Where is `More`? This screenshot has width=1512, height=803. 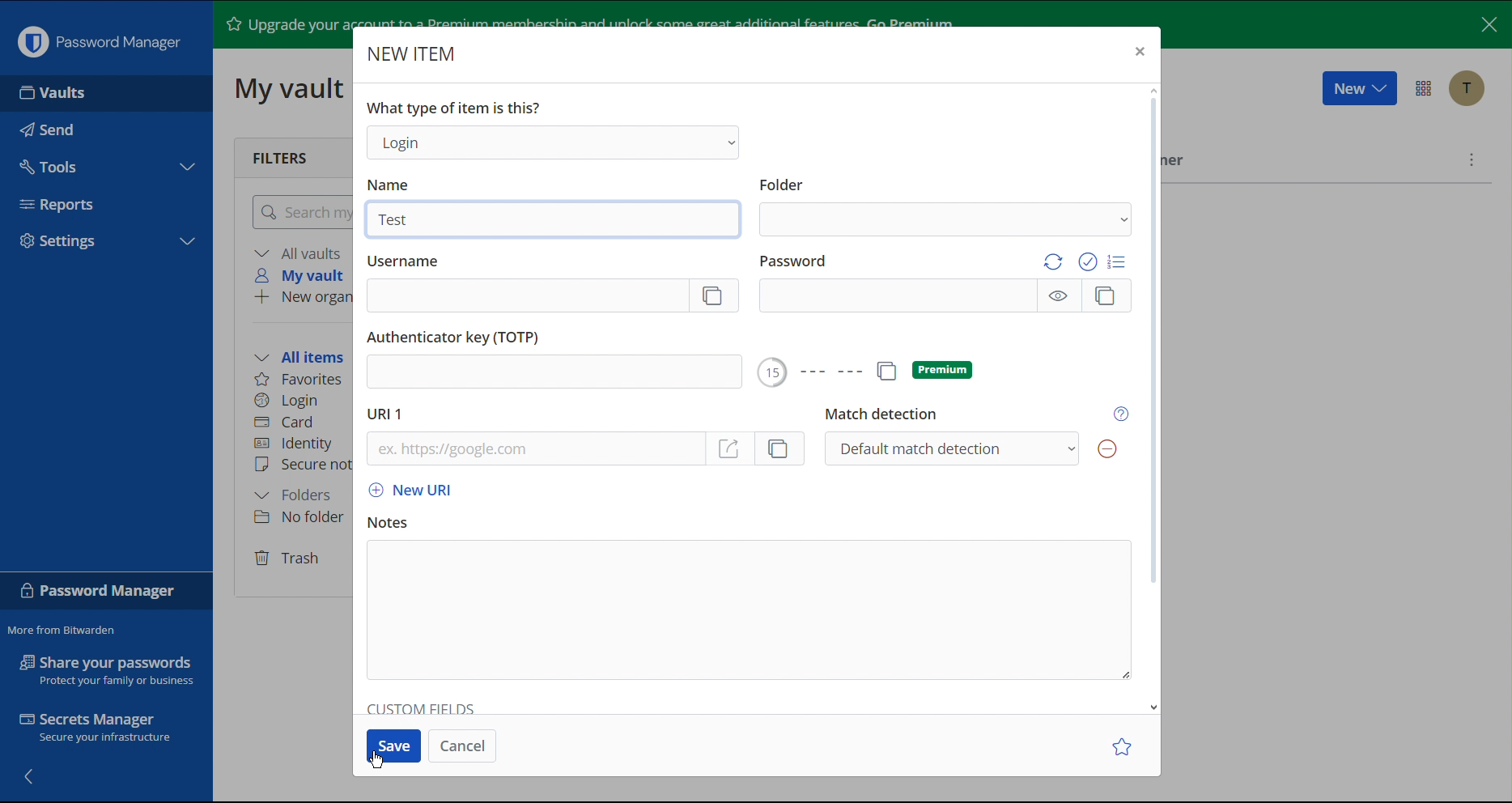 More is located at coordinates (1469, 162).